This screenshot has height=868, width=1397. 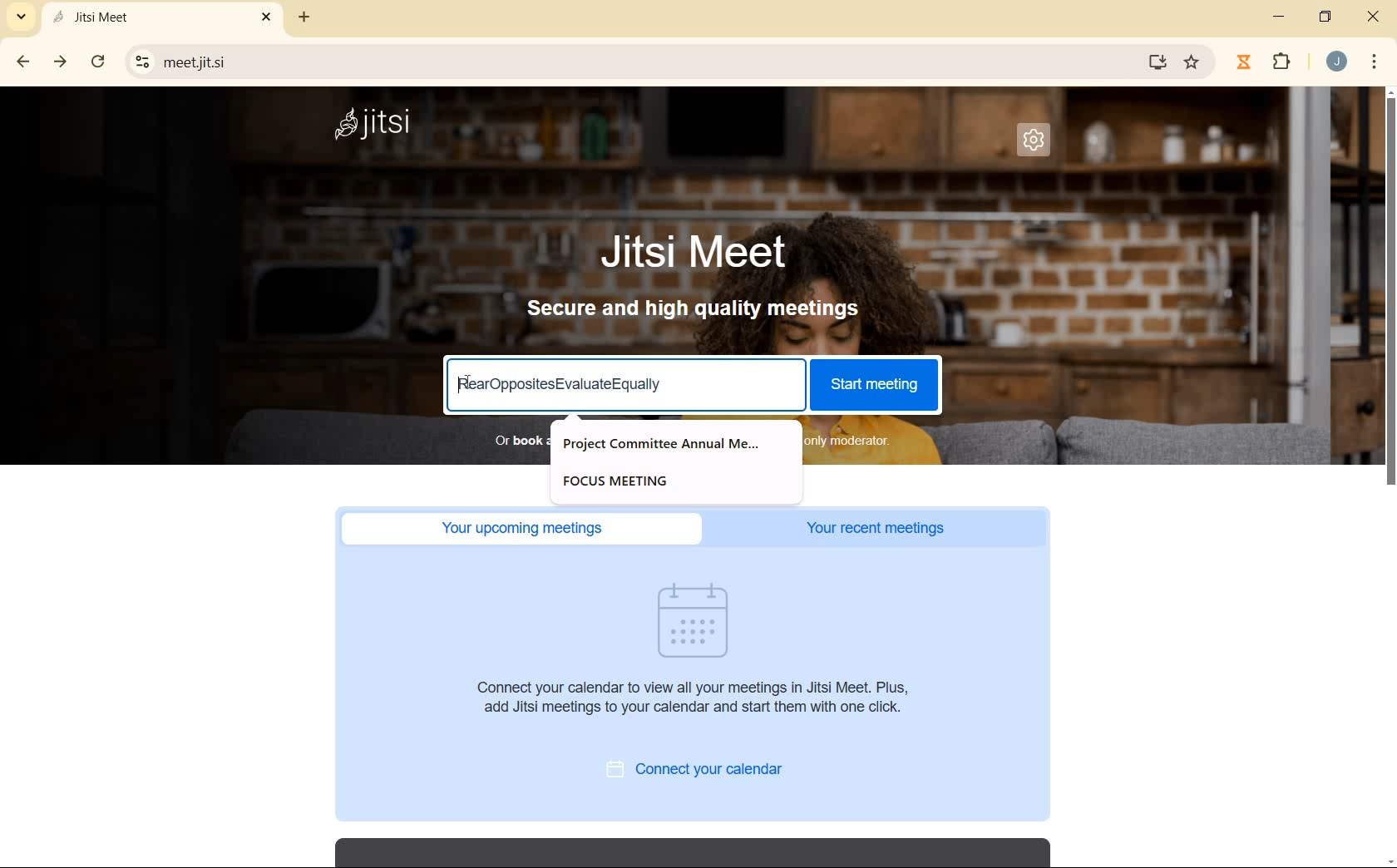 What do you see at coordinates (304, 20) in the screenshot?
I see `add tab` at bounding box center [304, 20].